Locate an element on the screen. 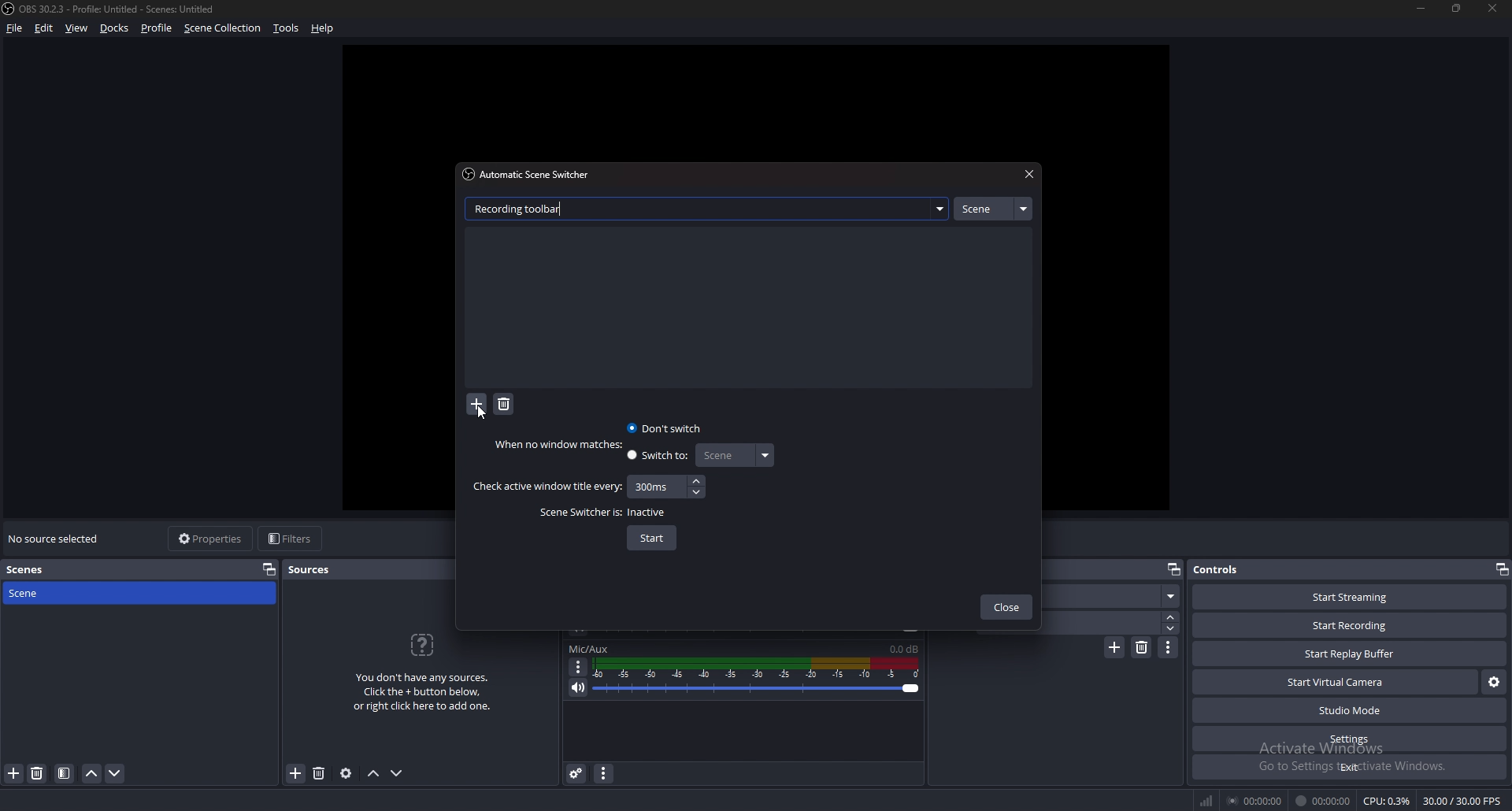  move scene up is located at coordinates (93, 773).